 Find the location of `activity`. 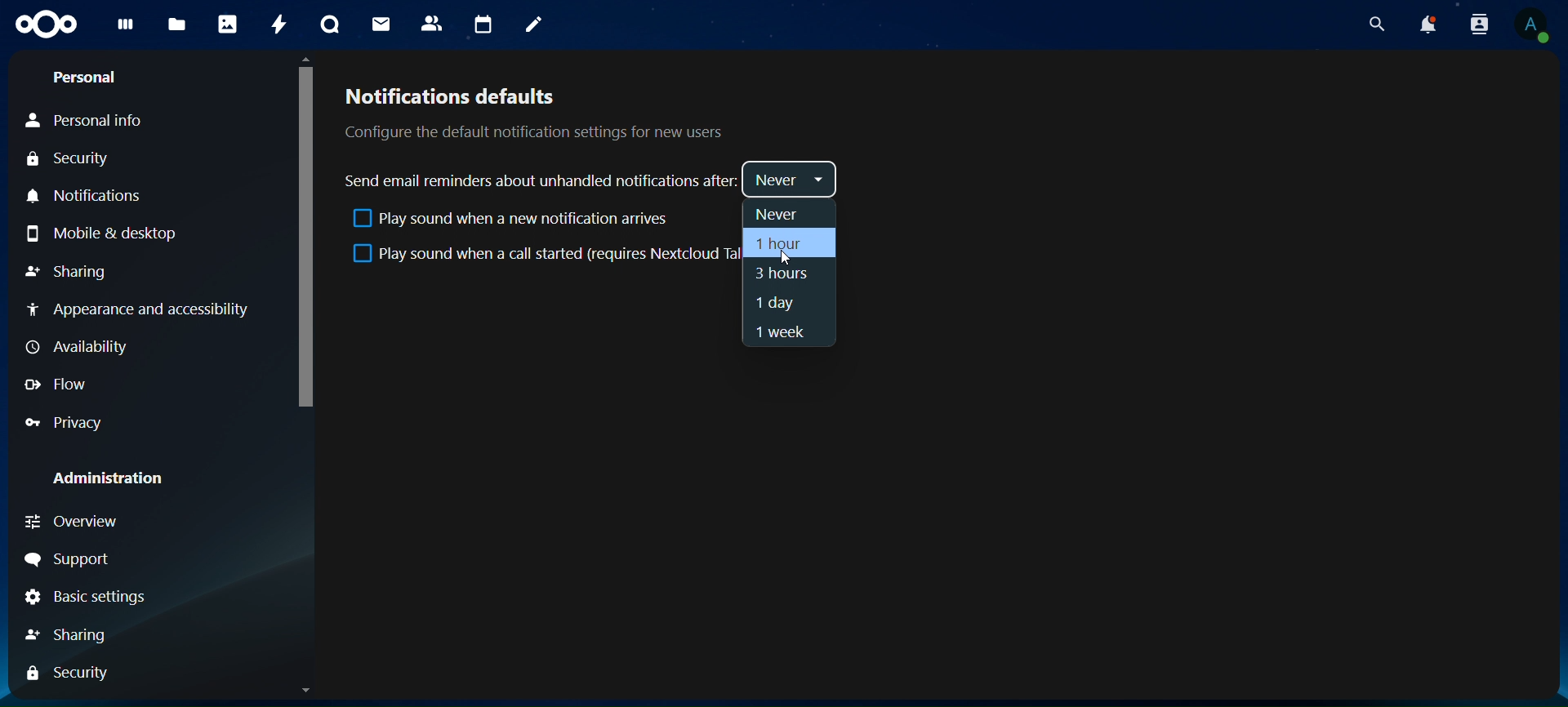

activity is located at coordinates (278, 27).